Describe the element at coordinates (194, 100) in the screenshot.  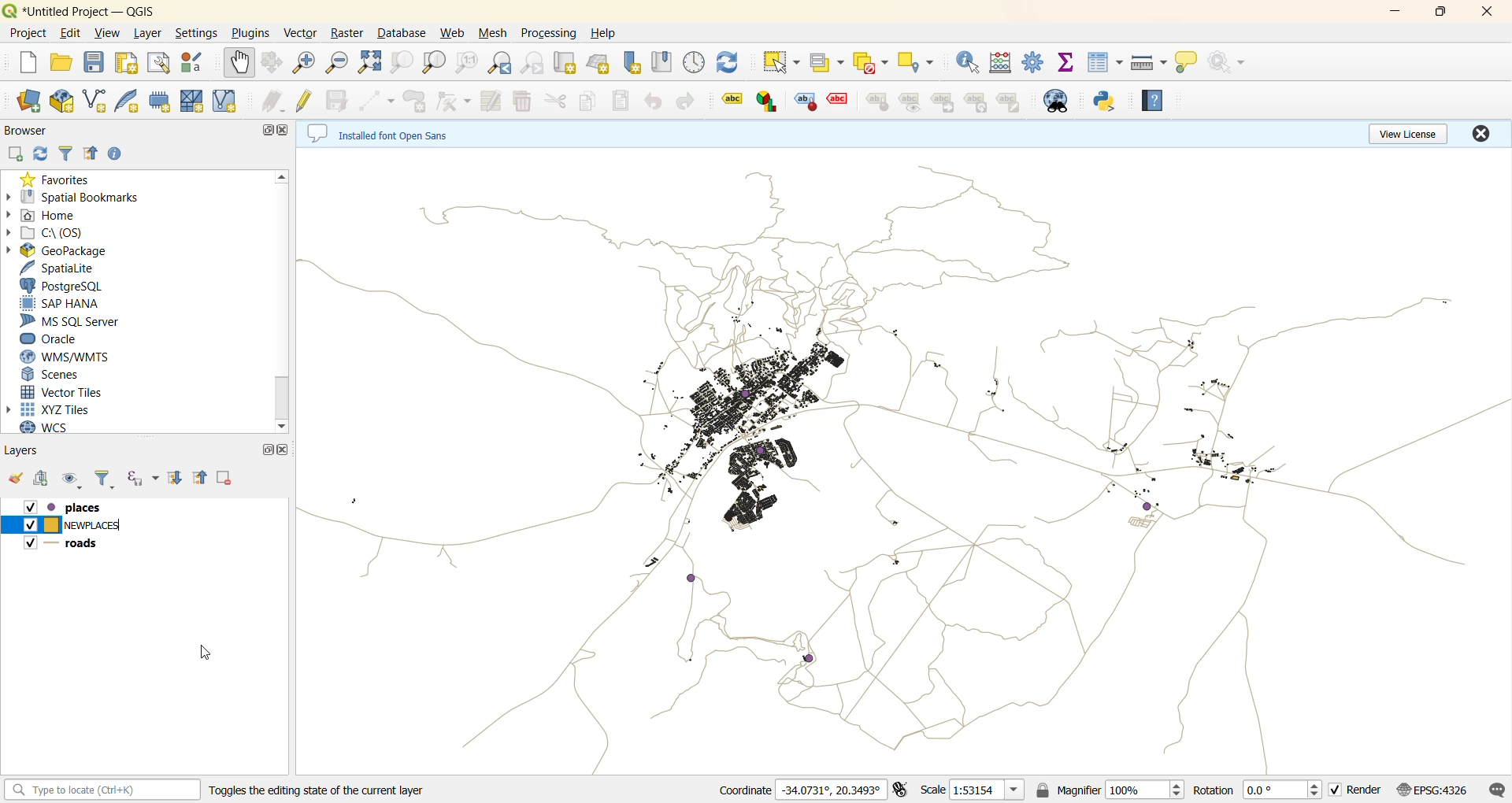
I see `new mesh layer` at that location.